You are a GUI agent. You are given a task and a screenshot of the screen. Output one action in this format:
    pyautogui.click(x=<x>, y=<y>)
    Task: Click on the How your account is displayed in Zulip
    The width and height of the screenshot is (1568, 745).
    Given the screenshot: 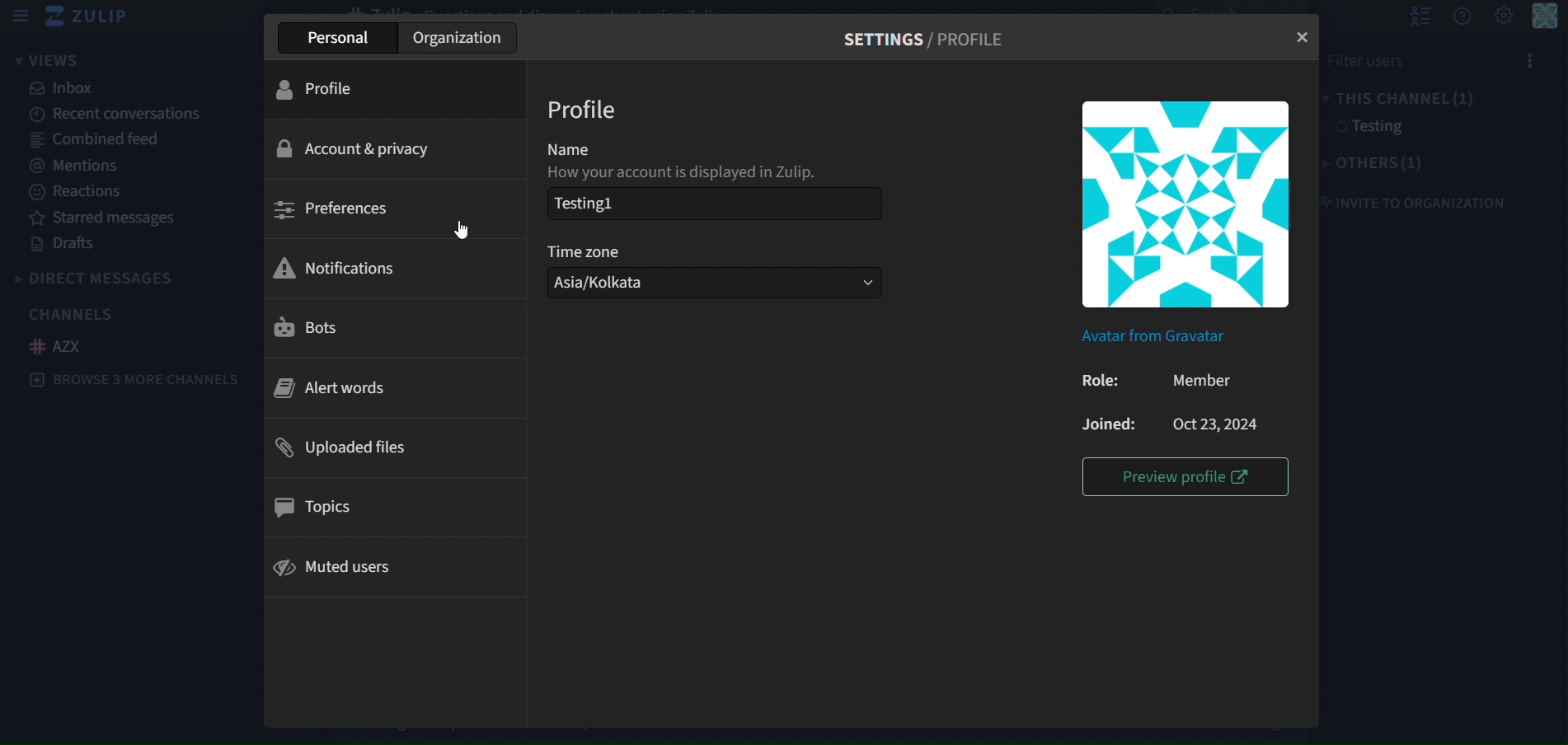 What is the action you would take?
    pyautogui.click(x=690, y=175)
    